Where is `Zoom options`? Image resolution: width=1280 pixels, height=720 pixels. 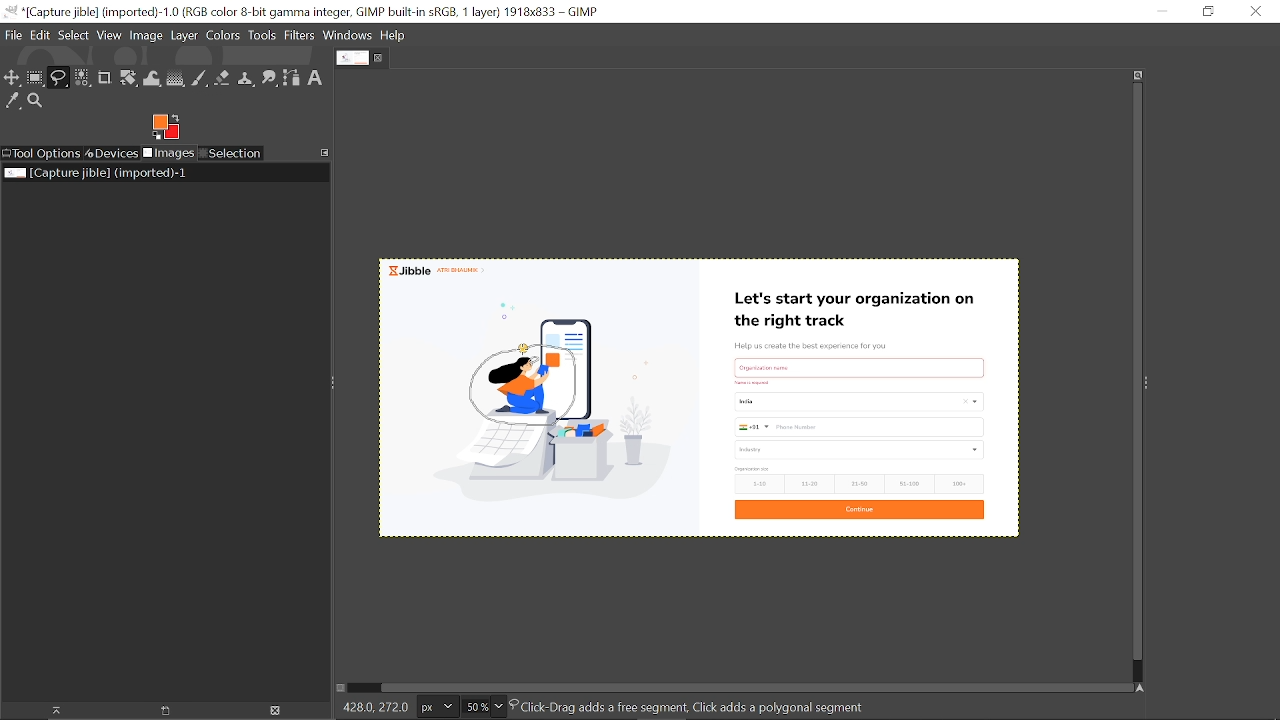 Zoom options is located at coordinates (499, 706).